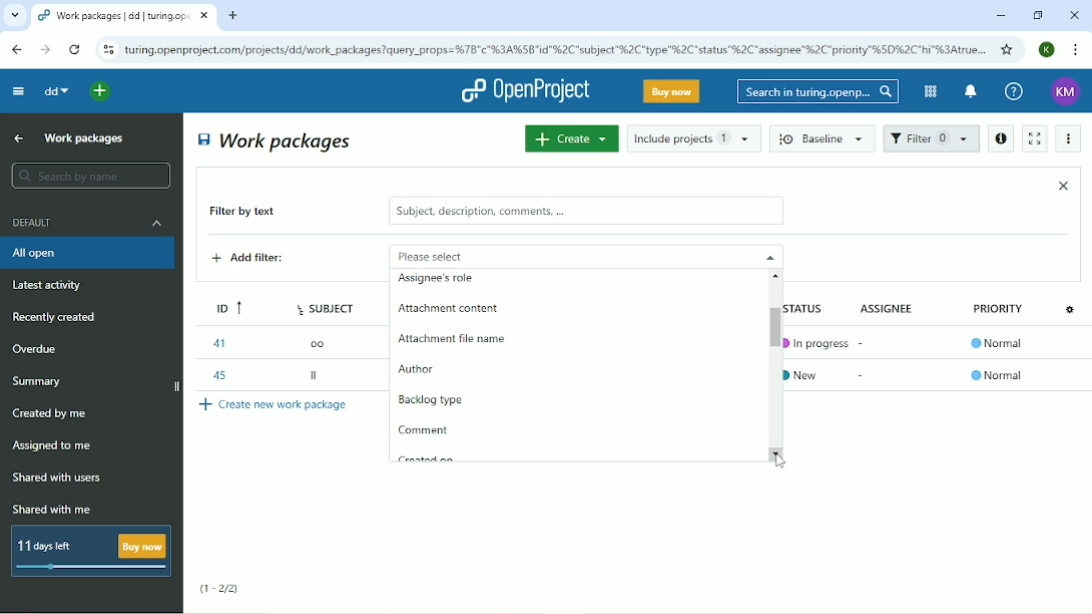 The image size is (1092, 614). Describe the element at coordinates (450, 308) in the screenshot. I see `attachment content` at that location.